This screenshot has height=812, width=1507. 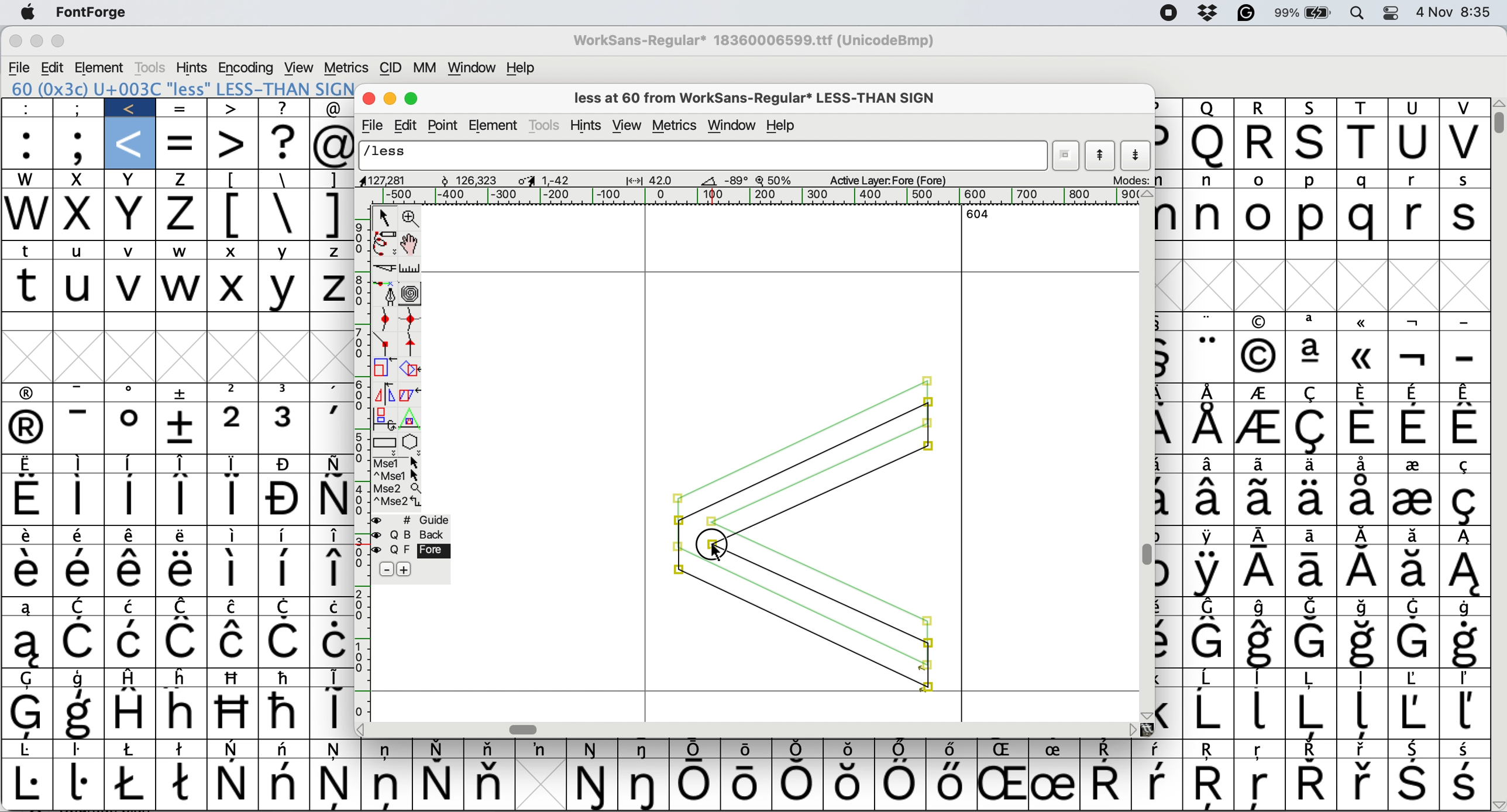 What do you see at coordinates (130, 429) in the screenshot?
I see `Symbol` at bounding box center [130, 429].